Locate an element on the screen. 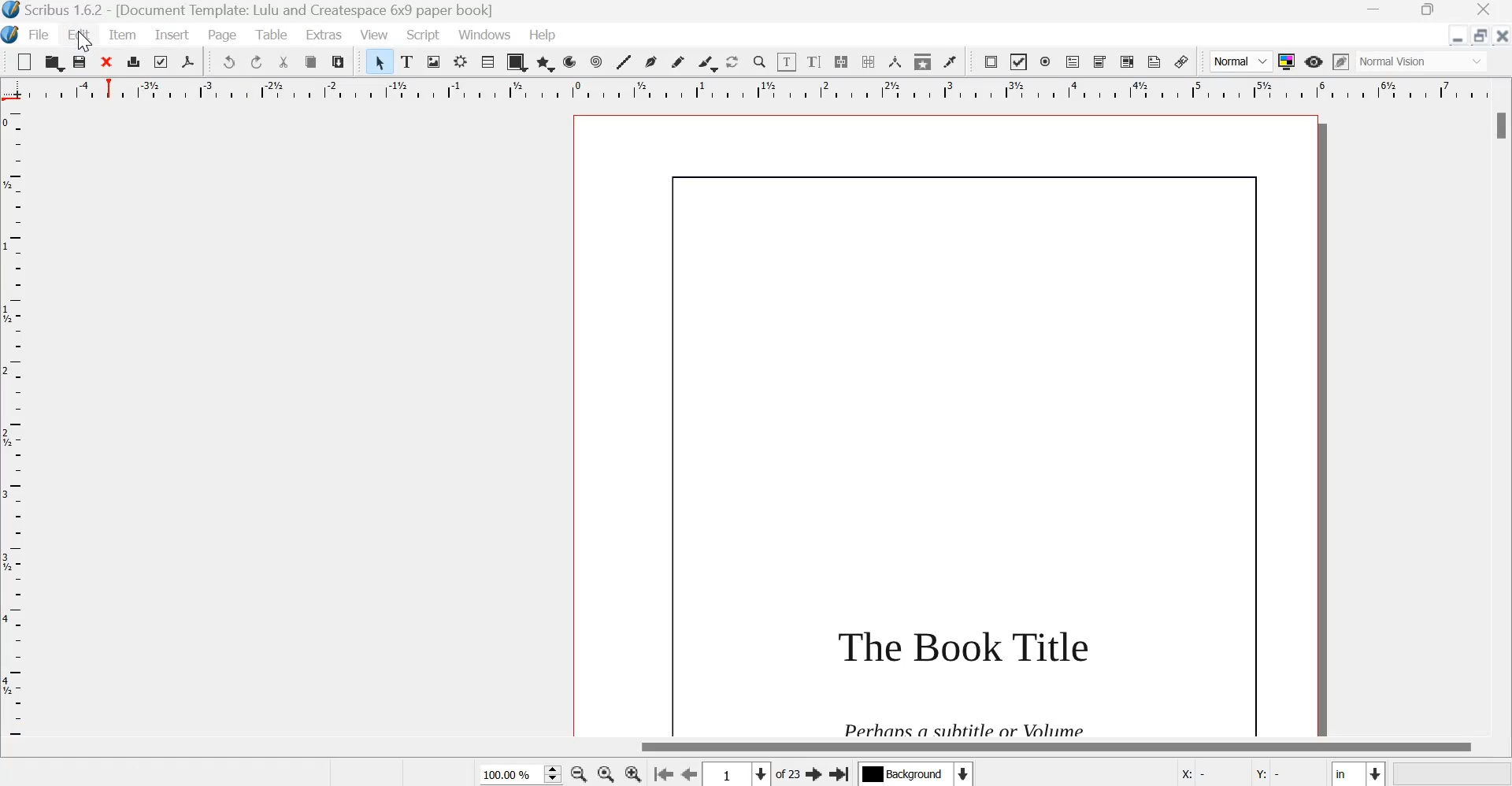 This screenshot has height=786, width=1512. Close is located at coordinates (1503, 35).